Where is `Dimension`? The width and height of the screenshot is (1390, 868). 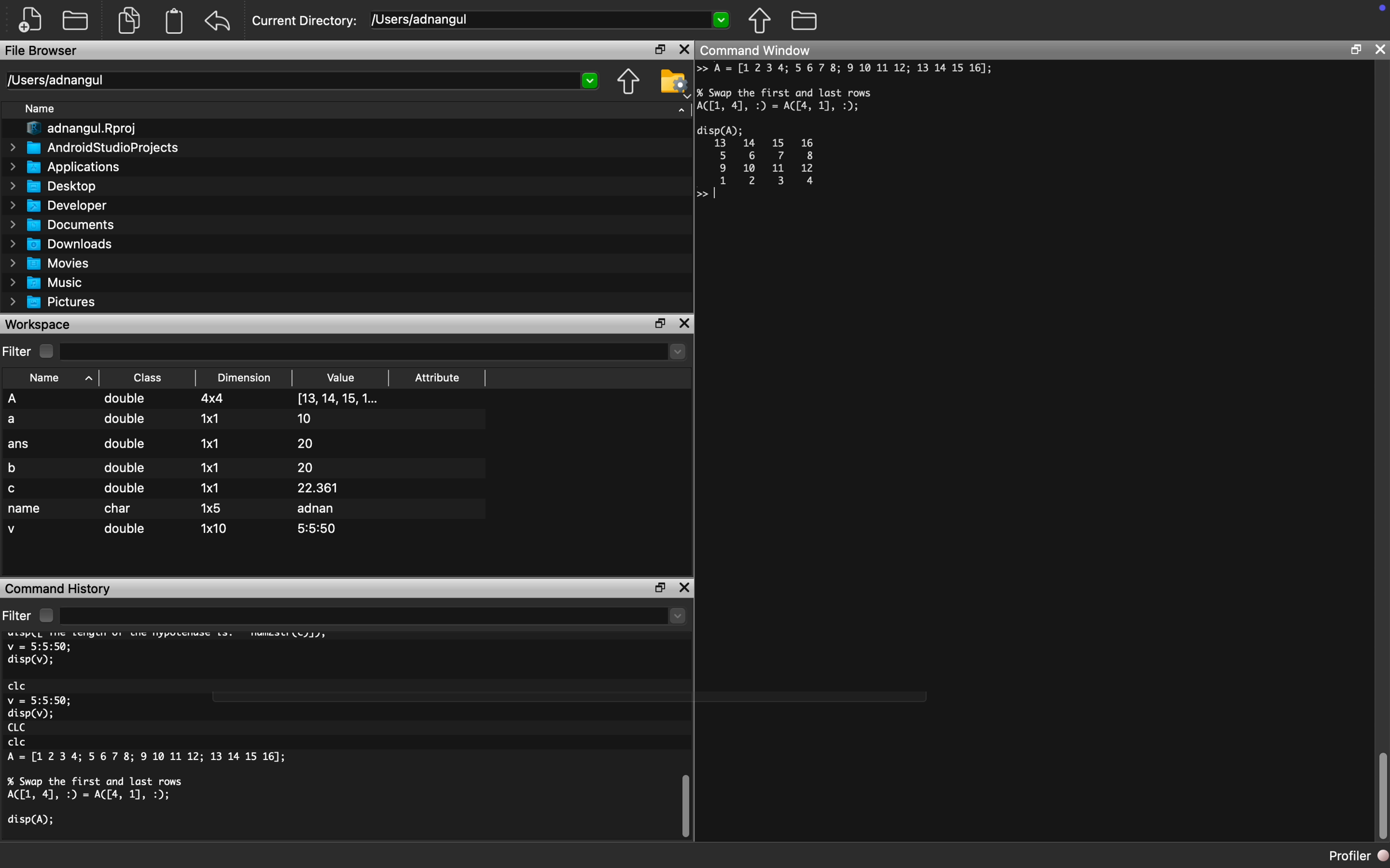 Dimension is located at coordinates (245, 377).